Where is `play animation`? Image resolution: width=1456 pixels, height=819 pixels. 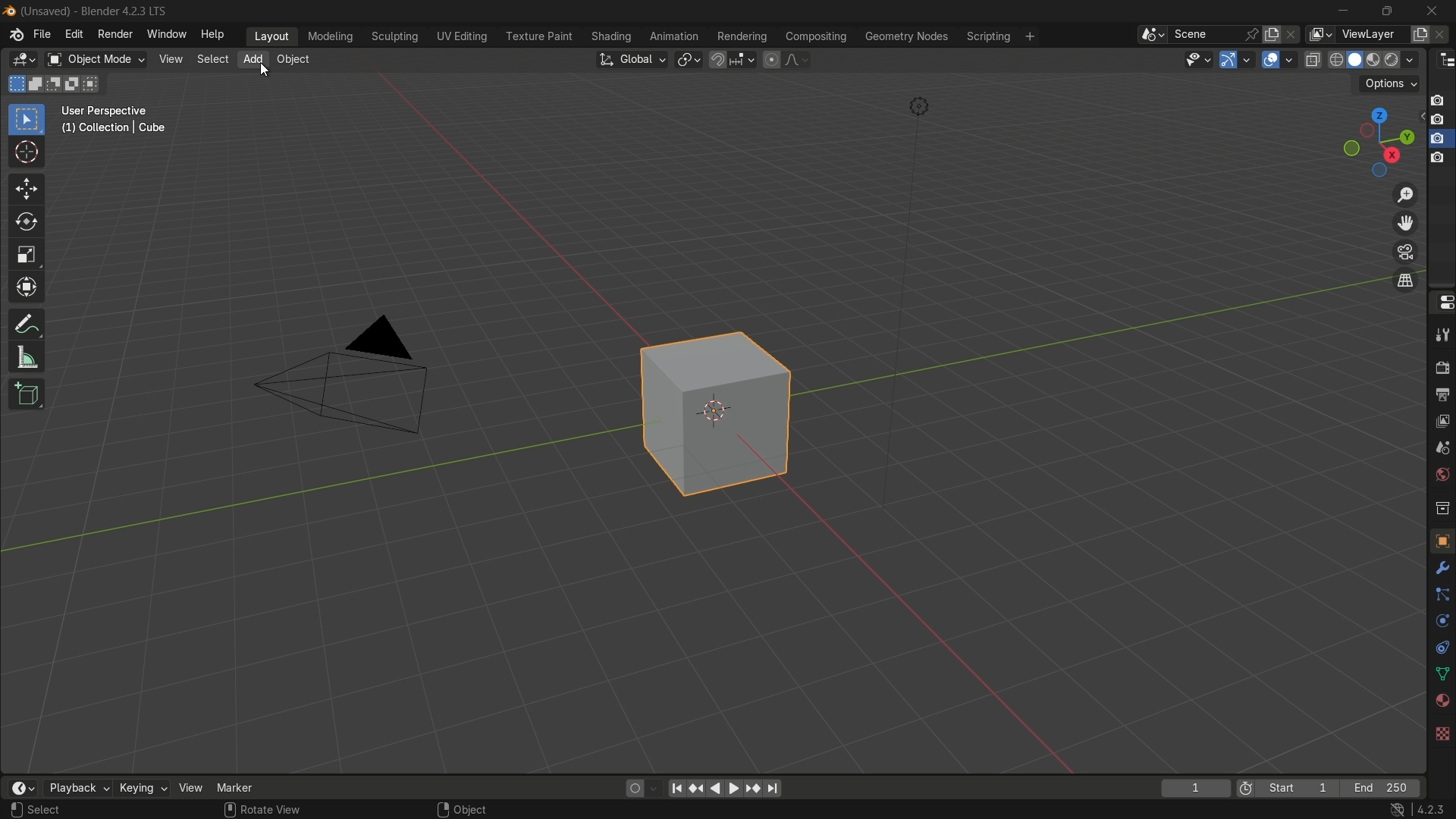 play animation is located at coordinates (725, 788).